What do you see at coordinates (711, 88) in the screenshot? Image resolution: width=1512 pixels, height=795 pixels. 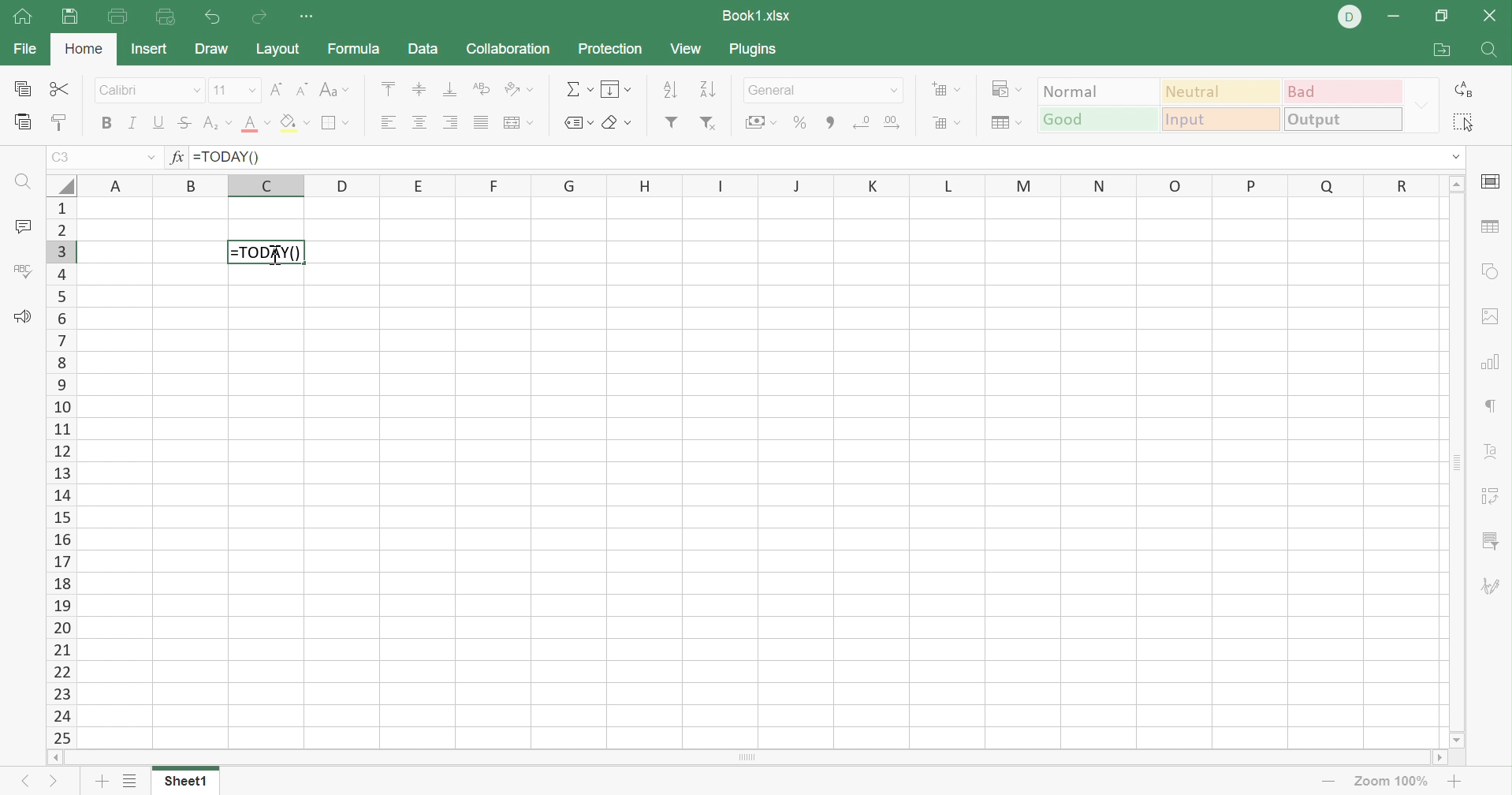 I see `Descending order` at bounding box center [711, 88].